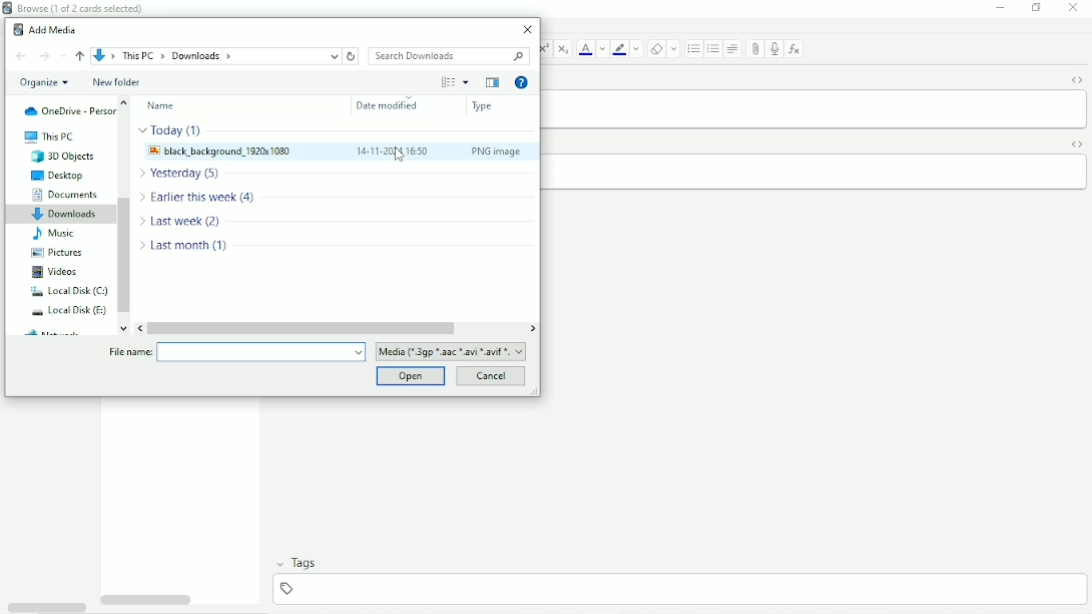 This screenshot has height=614, width=1092. I want to click on Ordered list, so click(693, 49).